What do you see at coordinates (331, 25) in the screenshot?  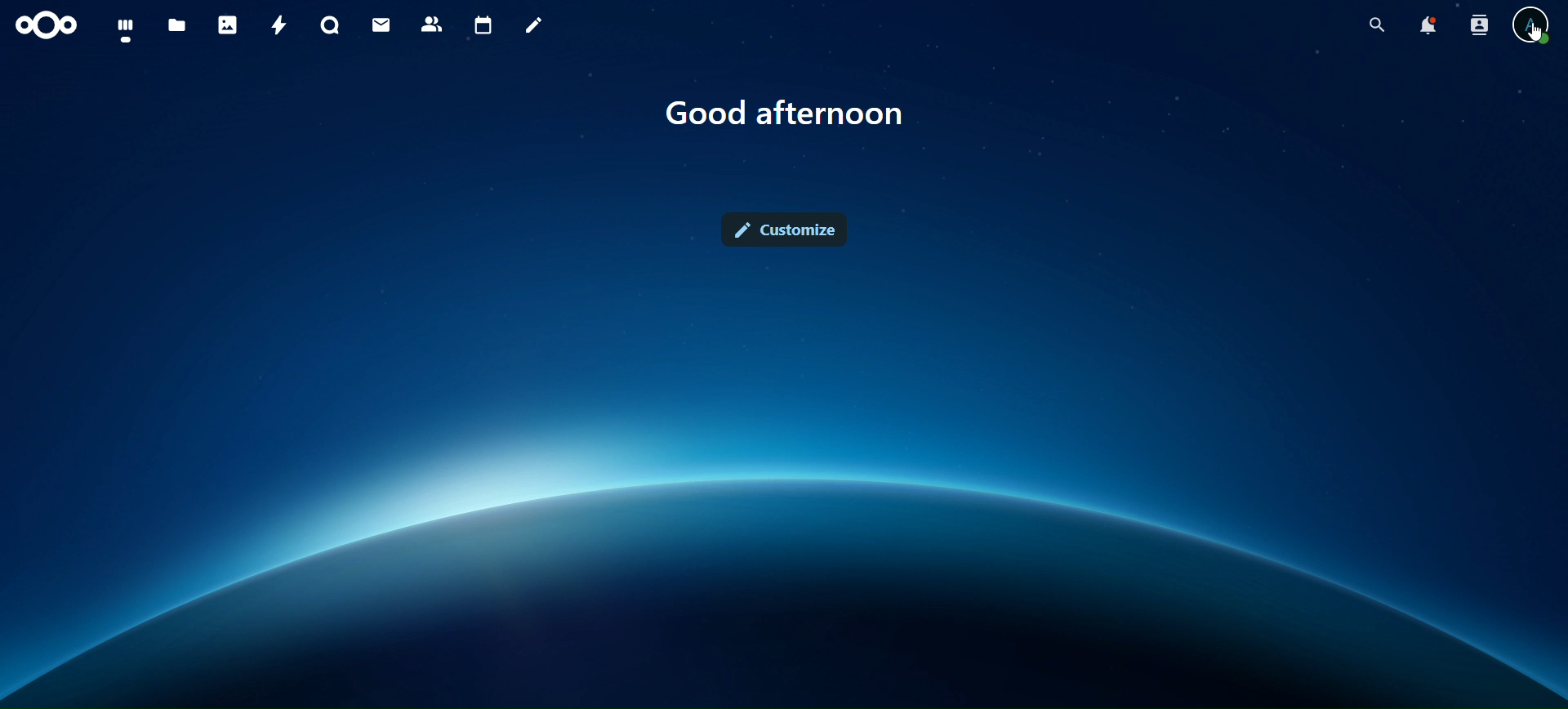 I see `talk` at bounding box center [331, 25].